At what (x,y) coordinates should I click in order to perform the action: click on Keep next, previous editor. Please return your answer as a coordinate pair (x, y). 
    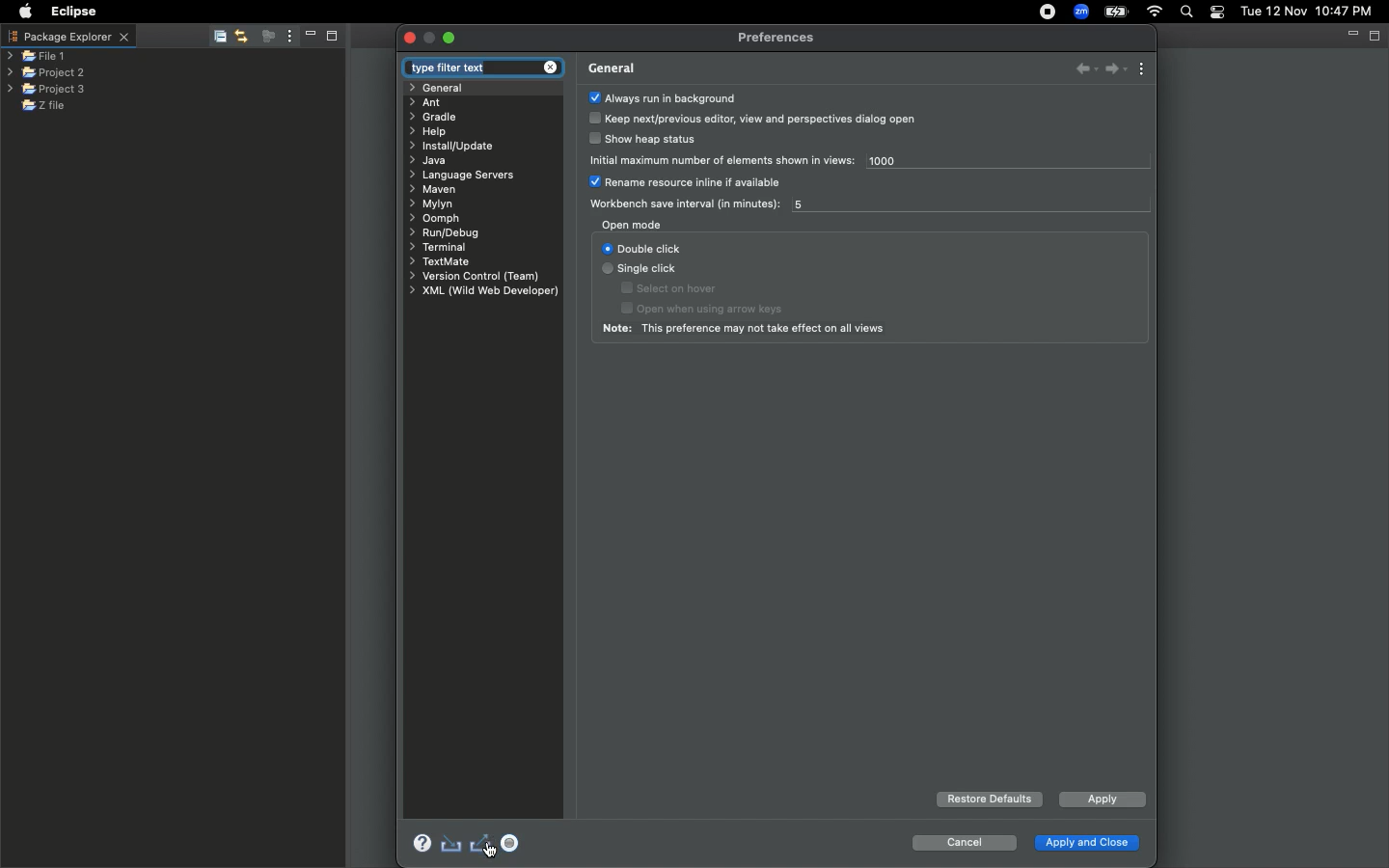
    Looking at the image, I should click on (754, 119).